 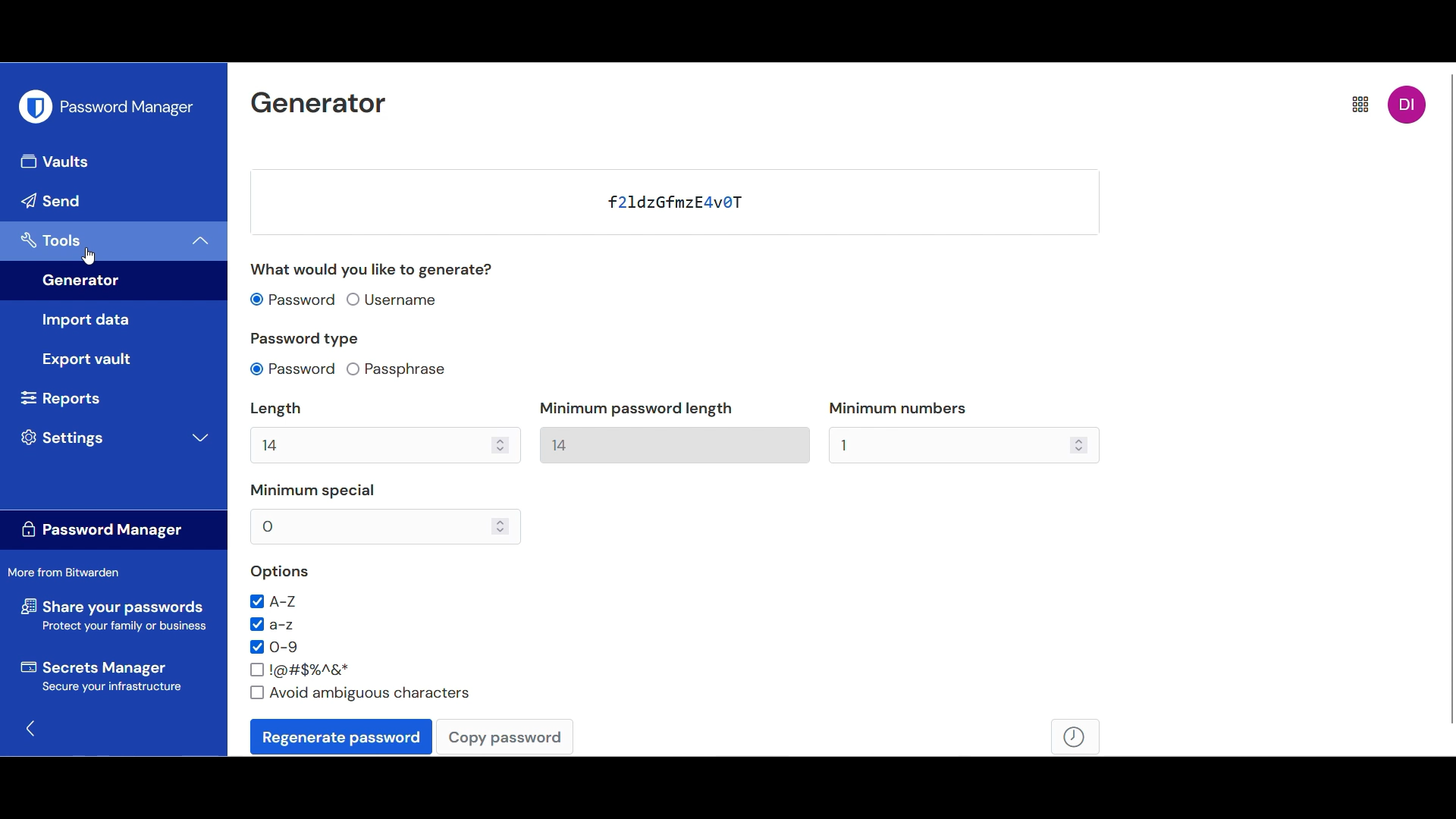 I want to click on Increase/Decrease min. special characters, so click(x=500, y=526).